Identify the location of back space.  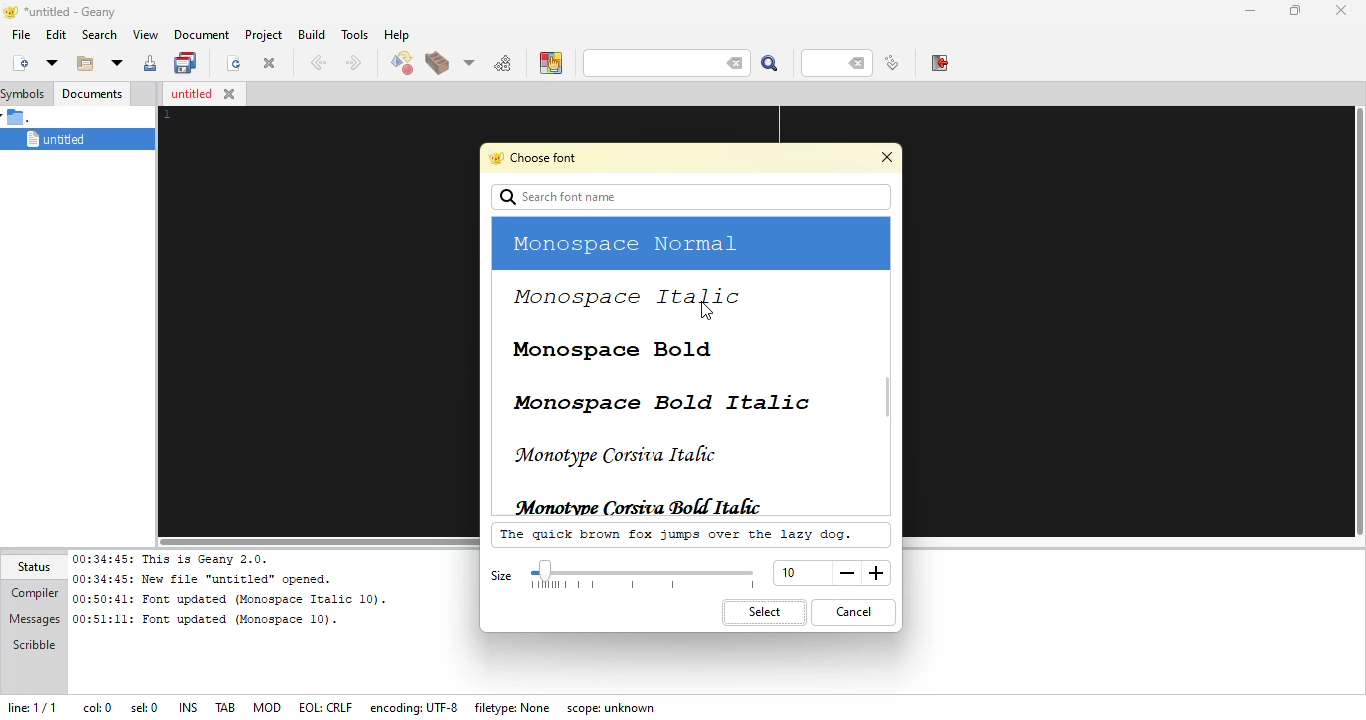
(730, 61).